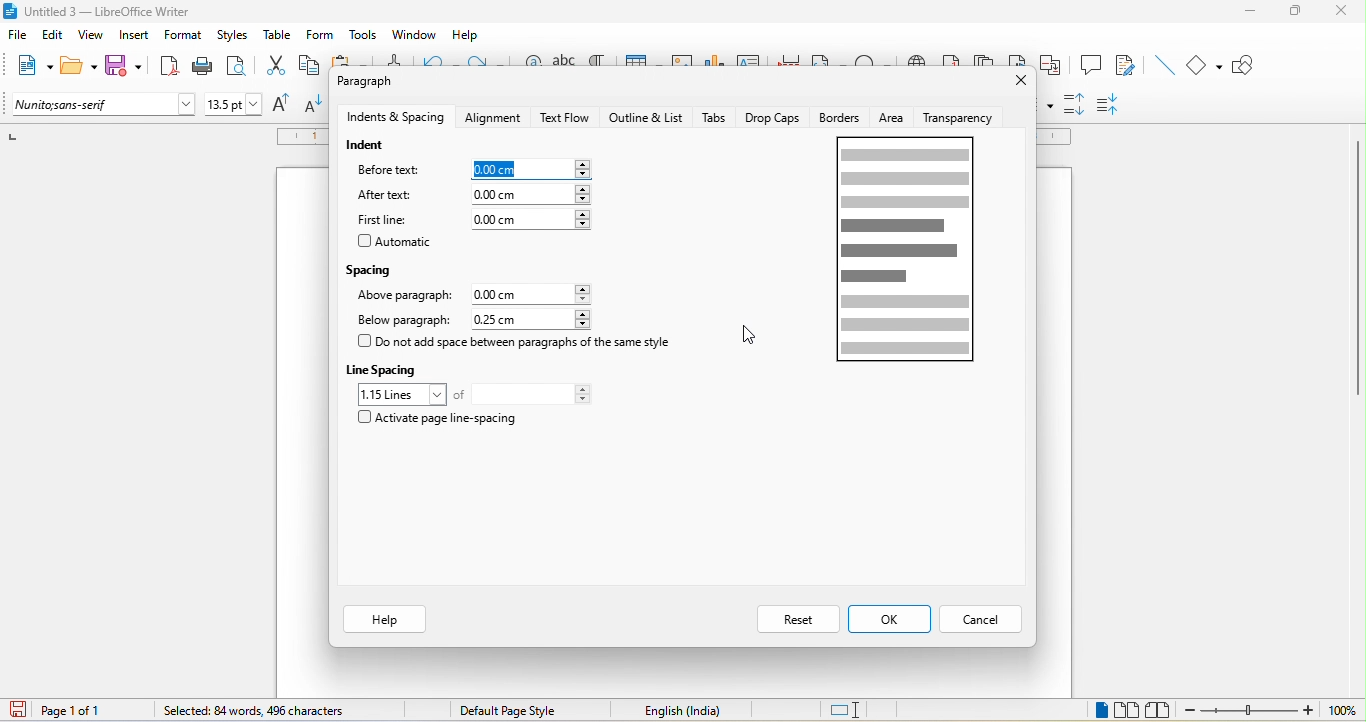 The image size is (1366, 722). Describe the element at coordinates (644, 116) in the screenshot. I see `outline and list` at that location.